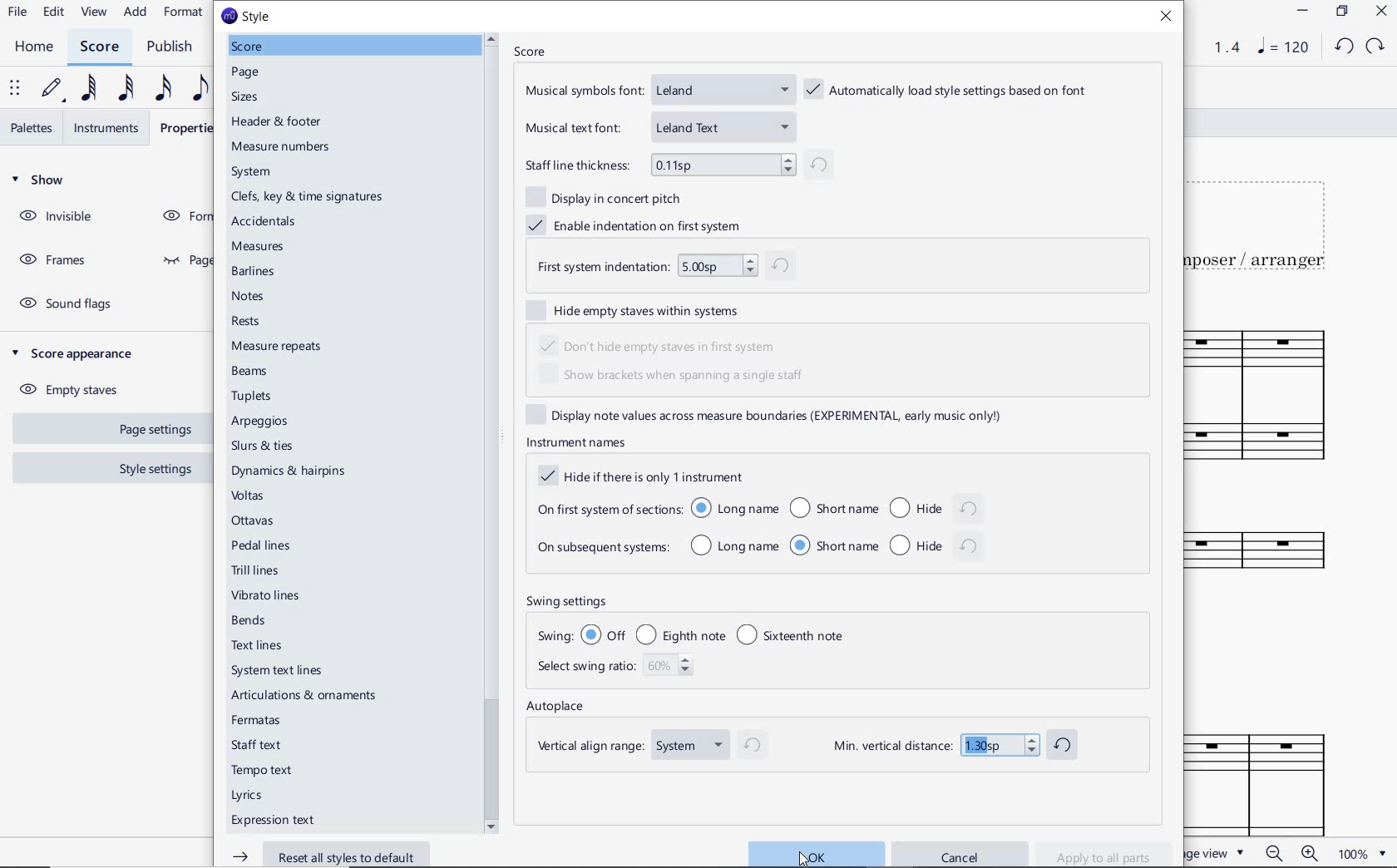 The height and width of the screenshot is (868, 1397). I want to click on PAGE SETTINGS, so click(146, 430).